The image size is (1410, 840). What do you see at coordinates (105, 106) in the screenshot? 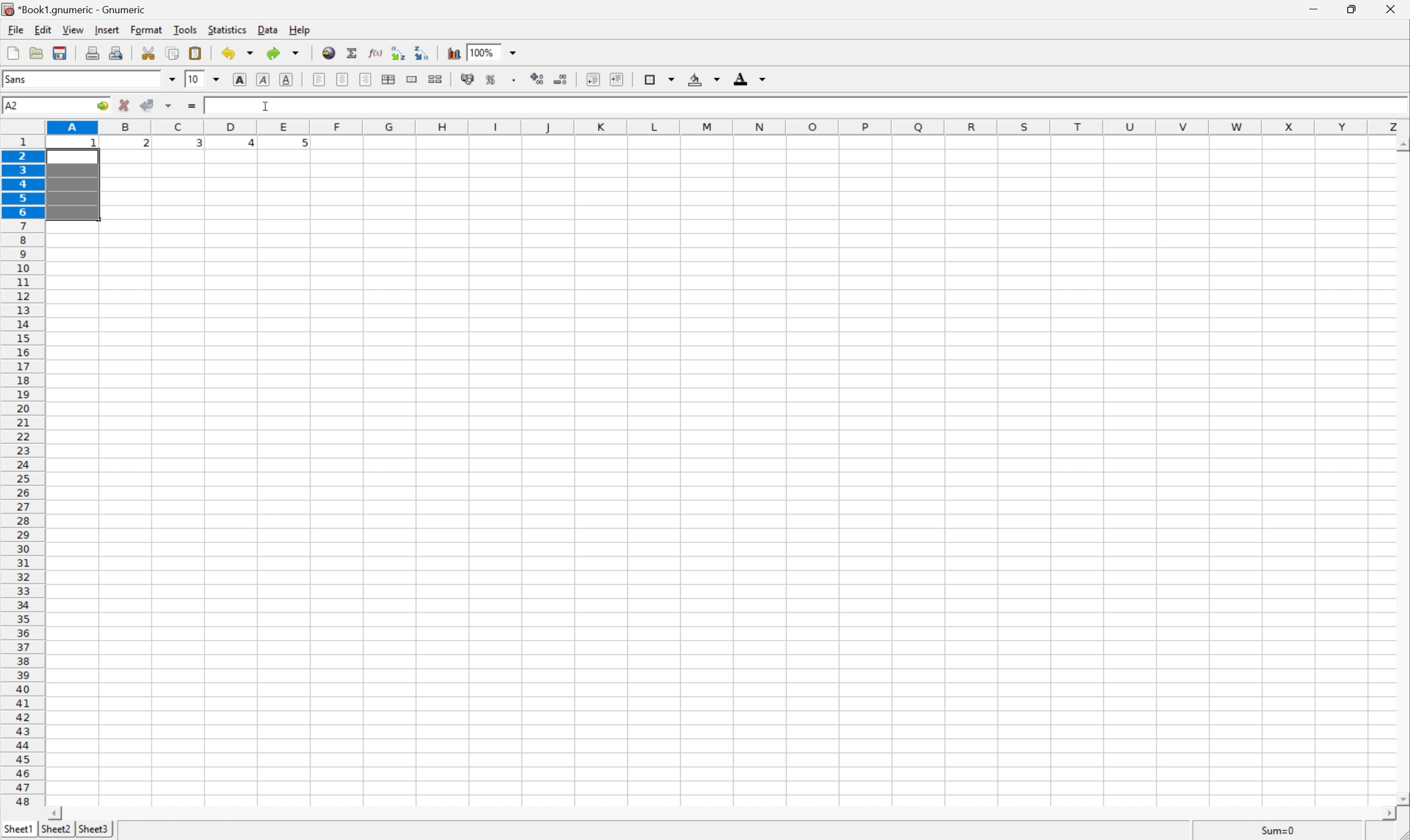
I see `go to` at bounding box center [105, 106].